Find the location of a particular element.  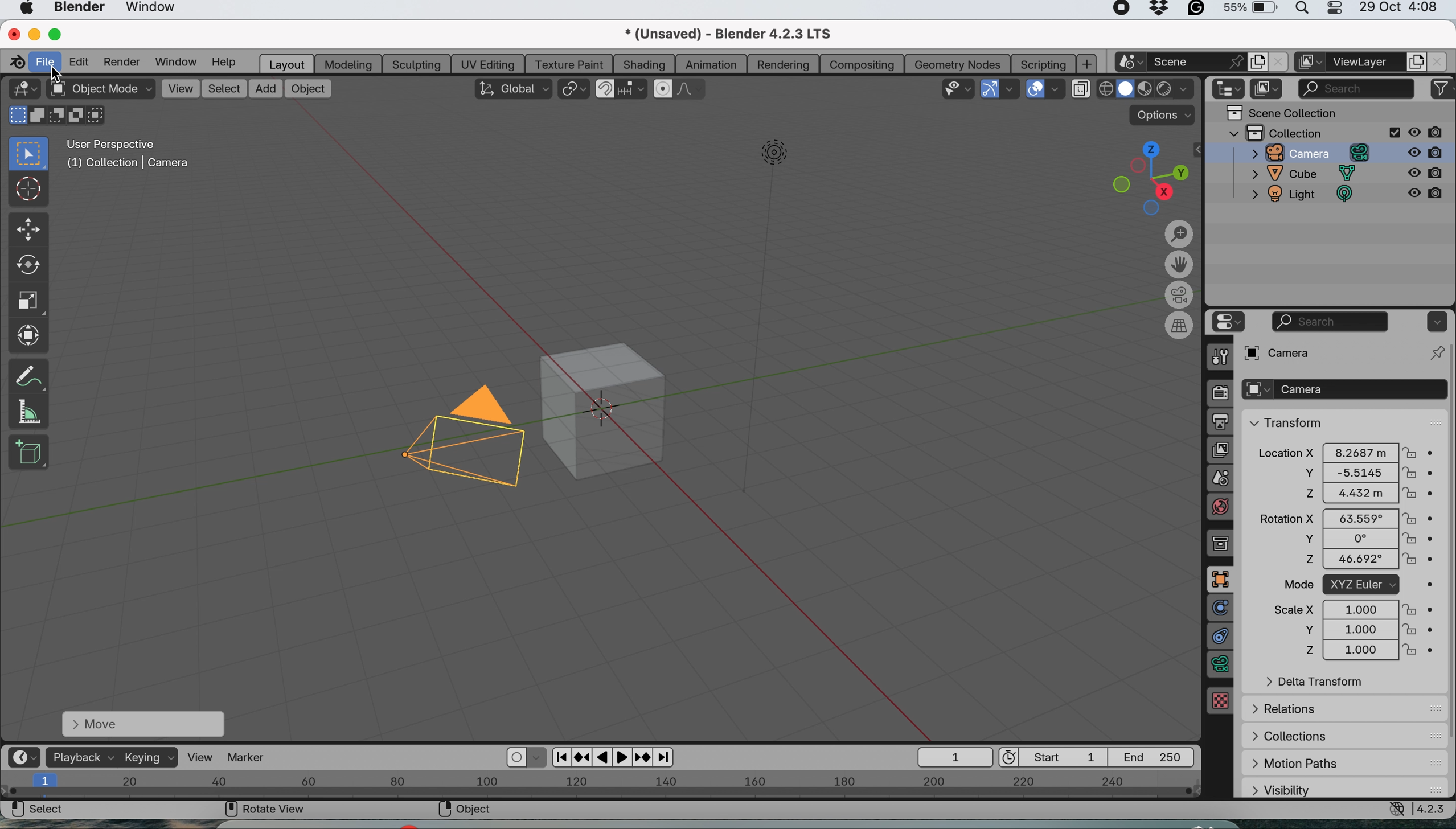

show gizmos is located at coordinates (989, 89).